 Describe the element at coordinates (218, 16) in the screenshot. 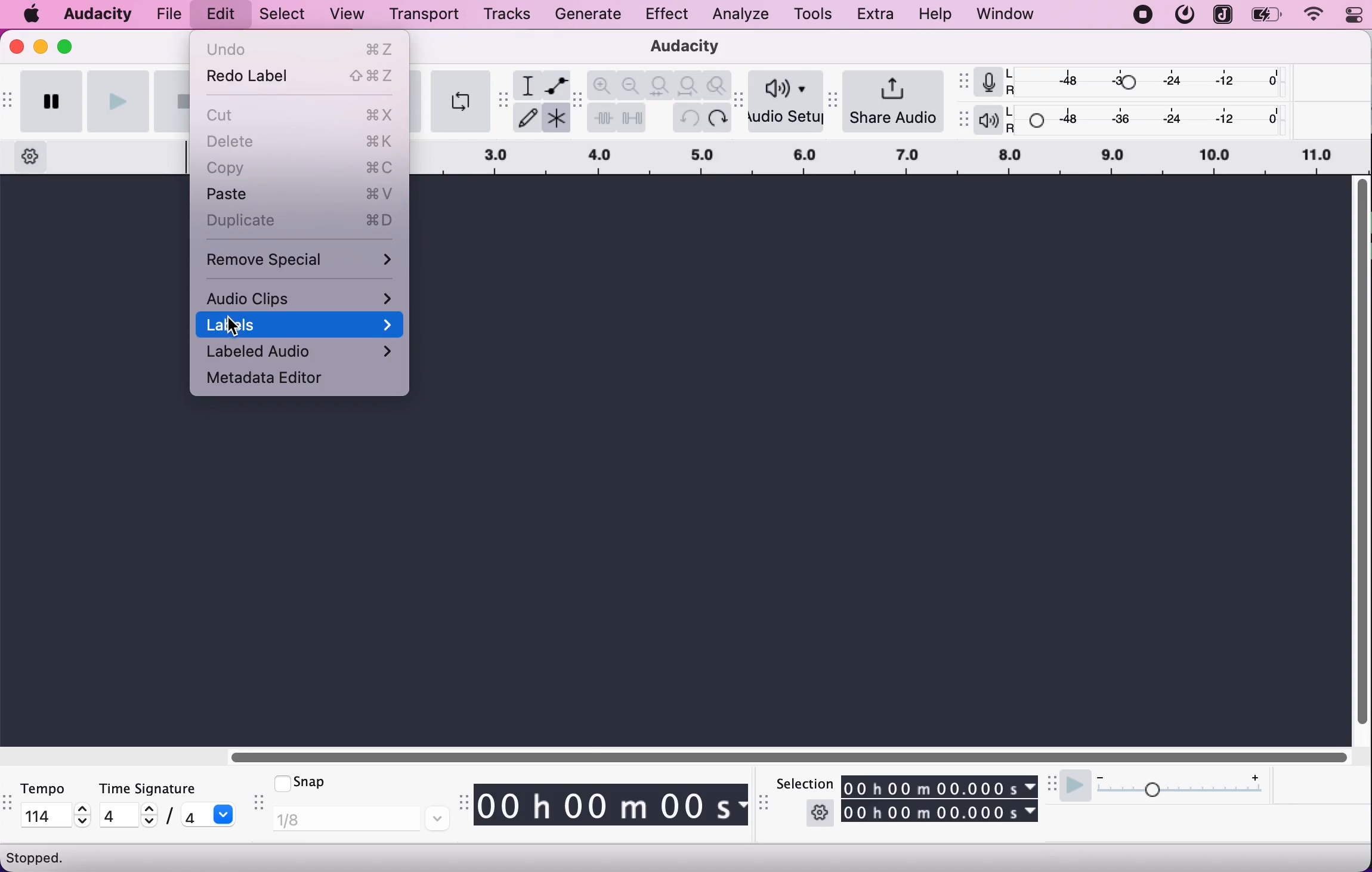

I see `edit` at that location.